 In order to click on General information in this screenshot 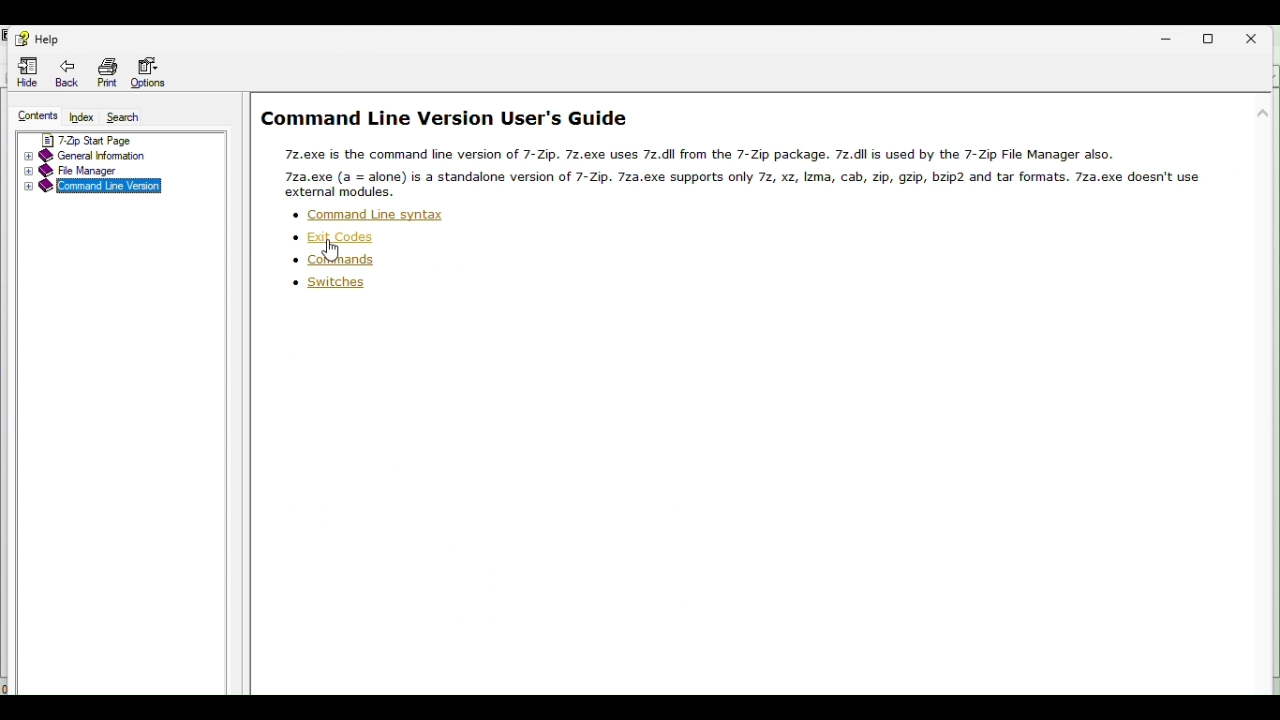, I will do `click(104, 155)`.